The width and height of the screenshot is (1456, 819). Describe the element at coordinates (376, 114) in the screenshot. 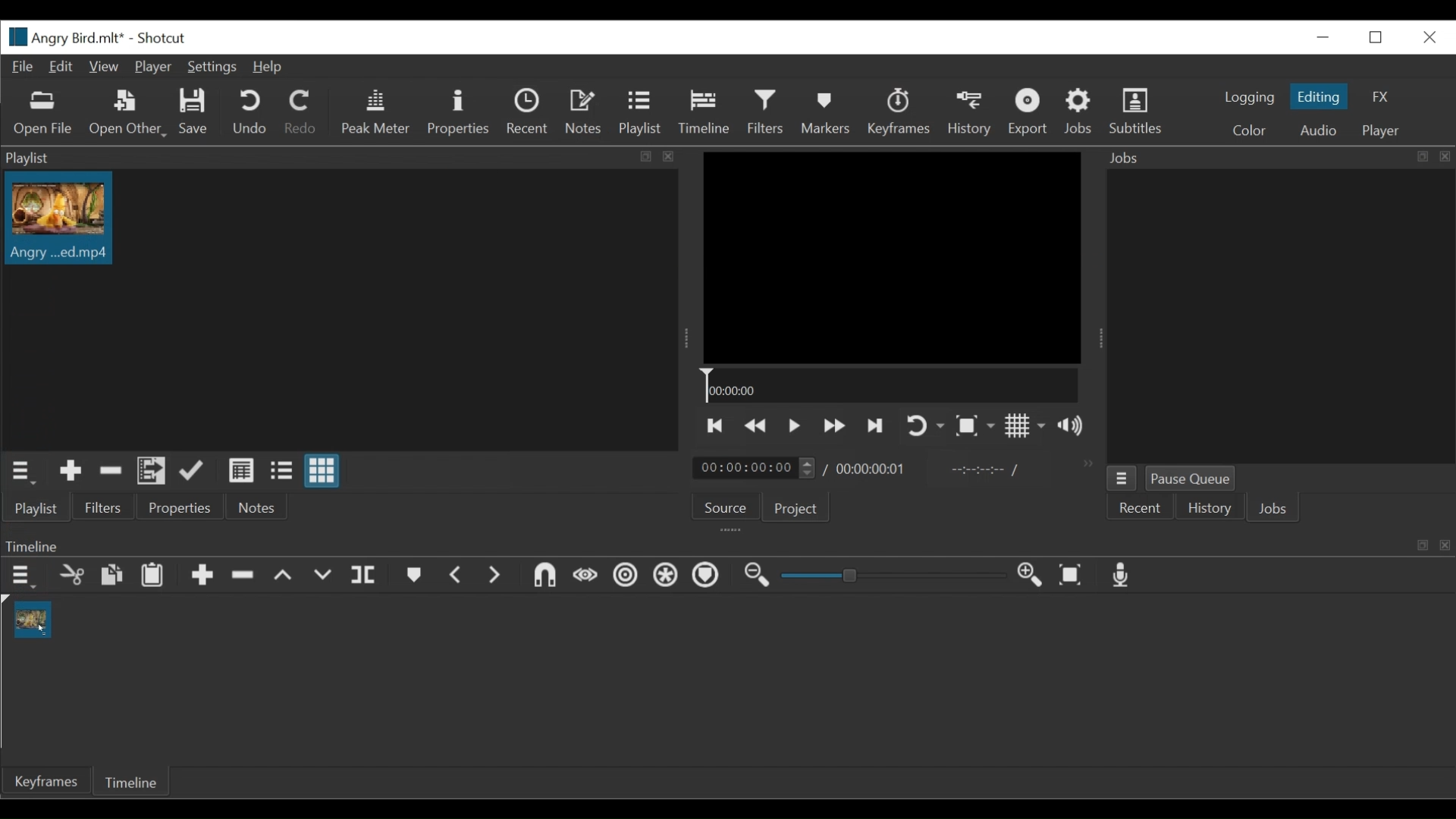

I see `Peak Meter` at that location.